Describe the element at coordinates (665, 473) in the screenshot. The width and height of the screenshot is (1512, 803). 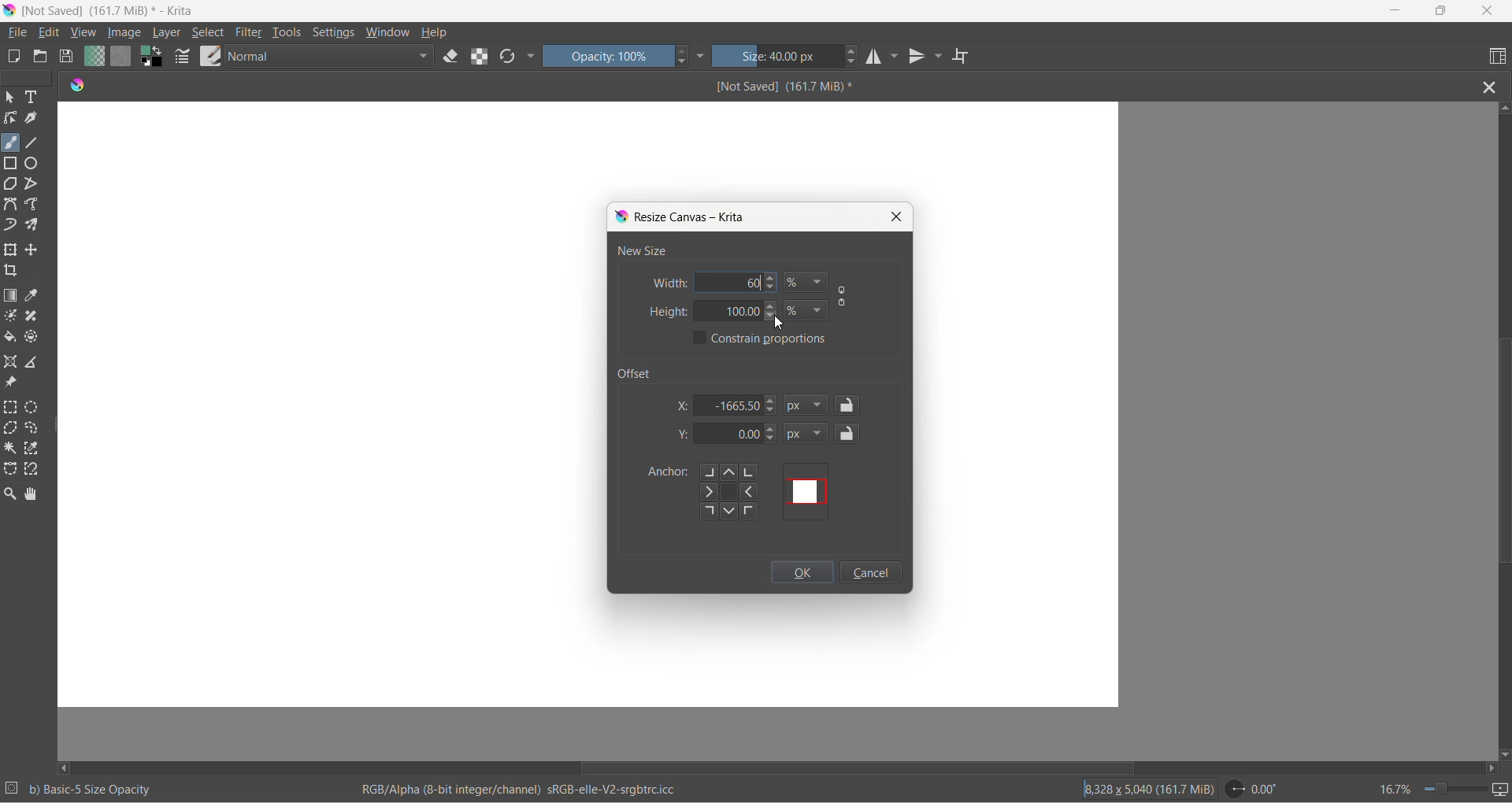
I see `anchor` at that location.